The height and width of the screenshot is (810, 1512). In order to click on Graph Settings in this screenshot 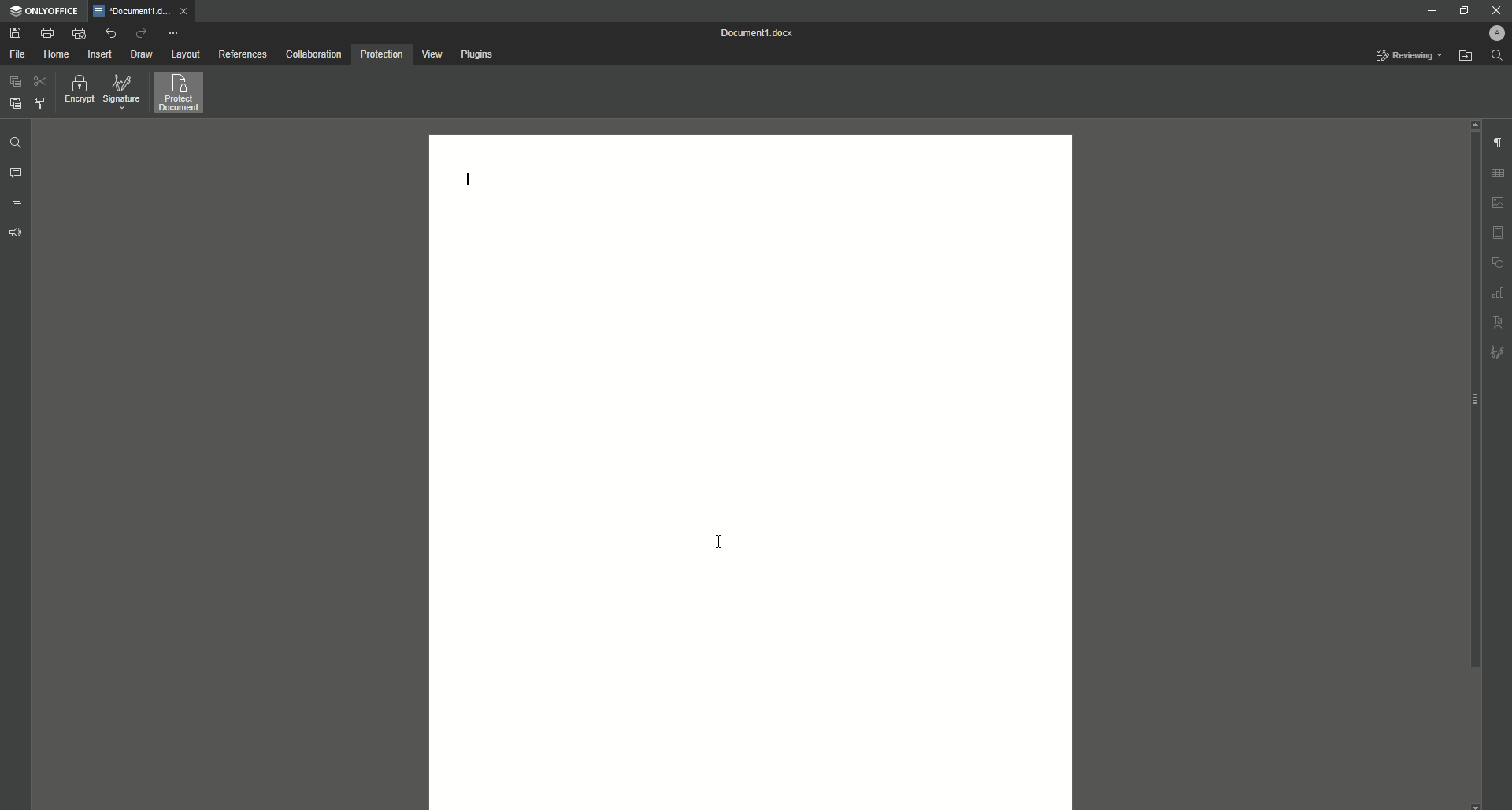, I will do `click(1499, 292)`.